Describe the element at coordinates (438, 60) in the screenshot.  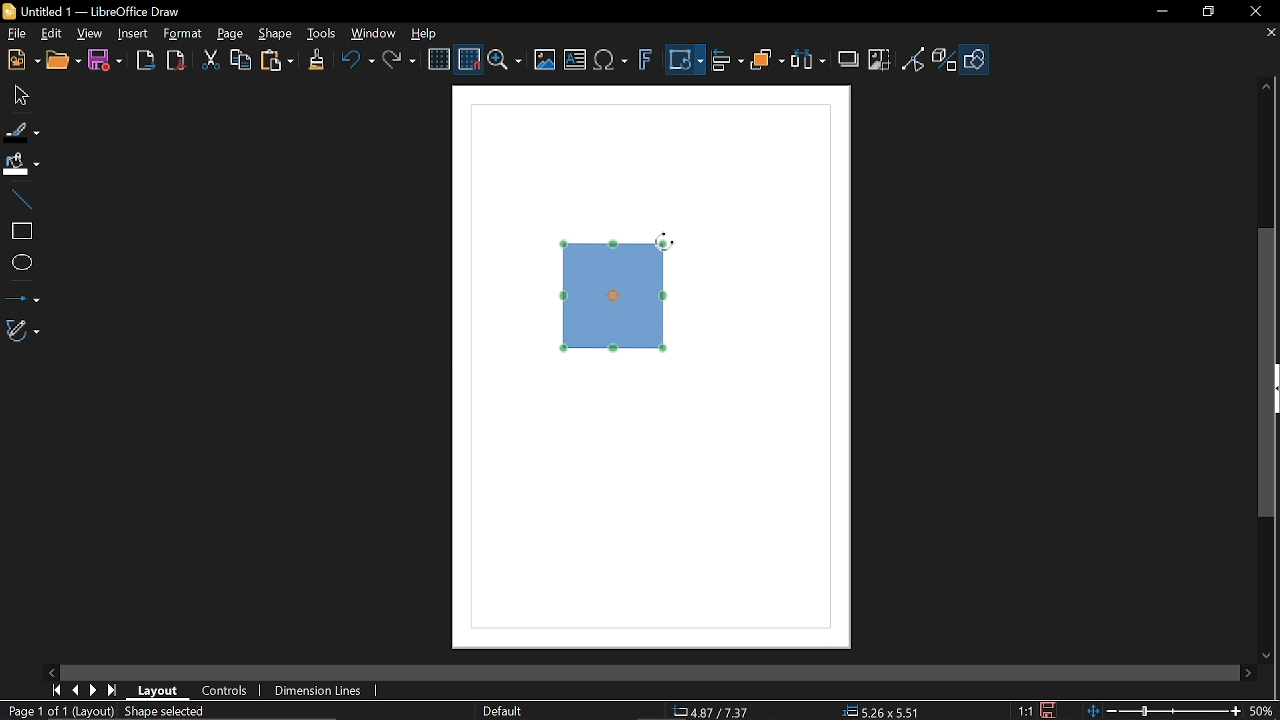
I see `Display grid` at that location.